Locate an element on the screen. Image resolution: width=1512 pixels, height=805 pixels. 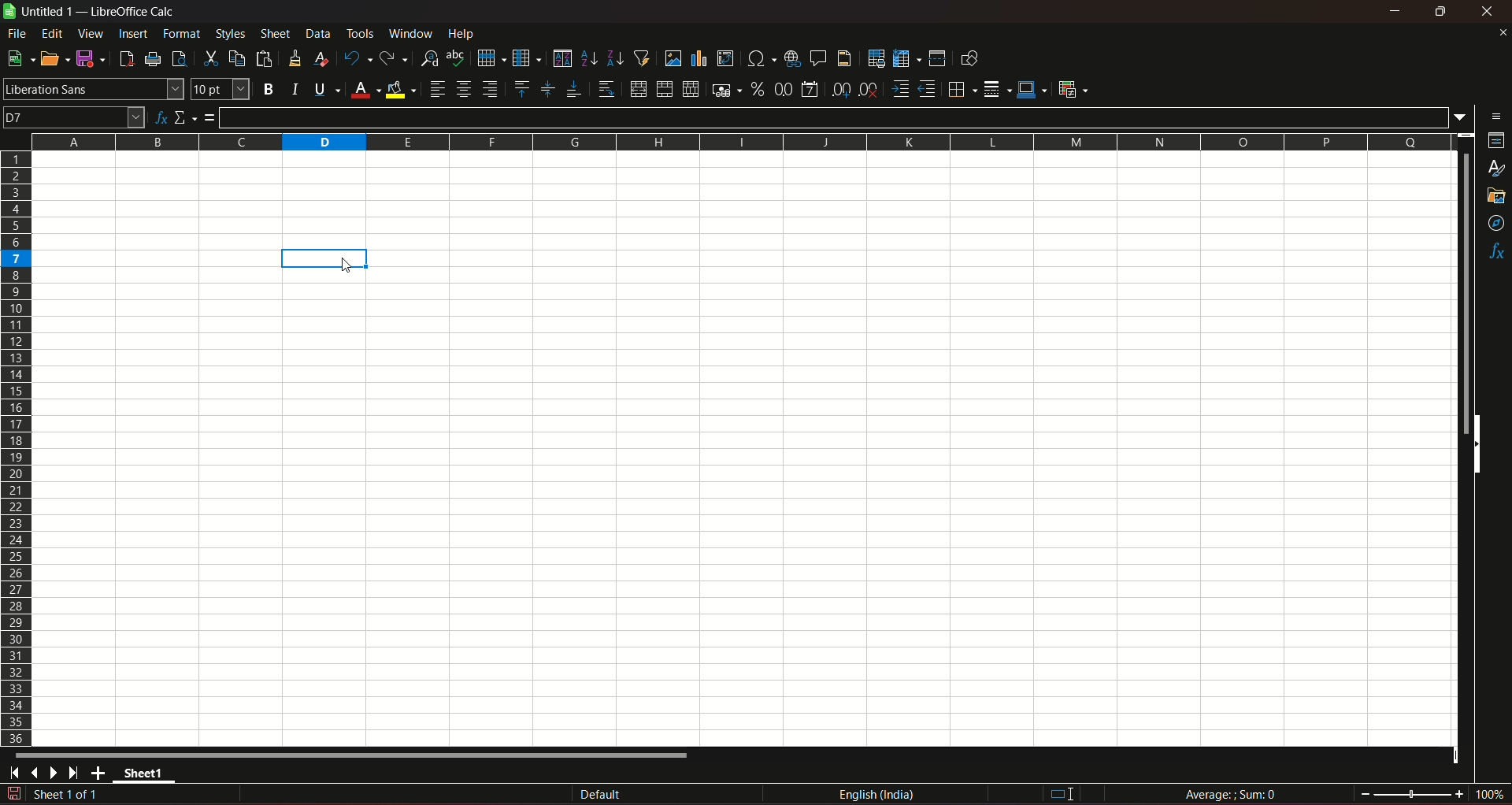
print is located at coordinates (154, 61).